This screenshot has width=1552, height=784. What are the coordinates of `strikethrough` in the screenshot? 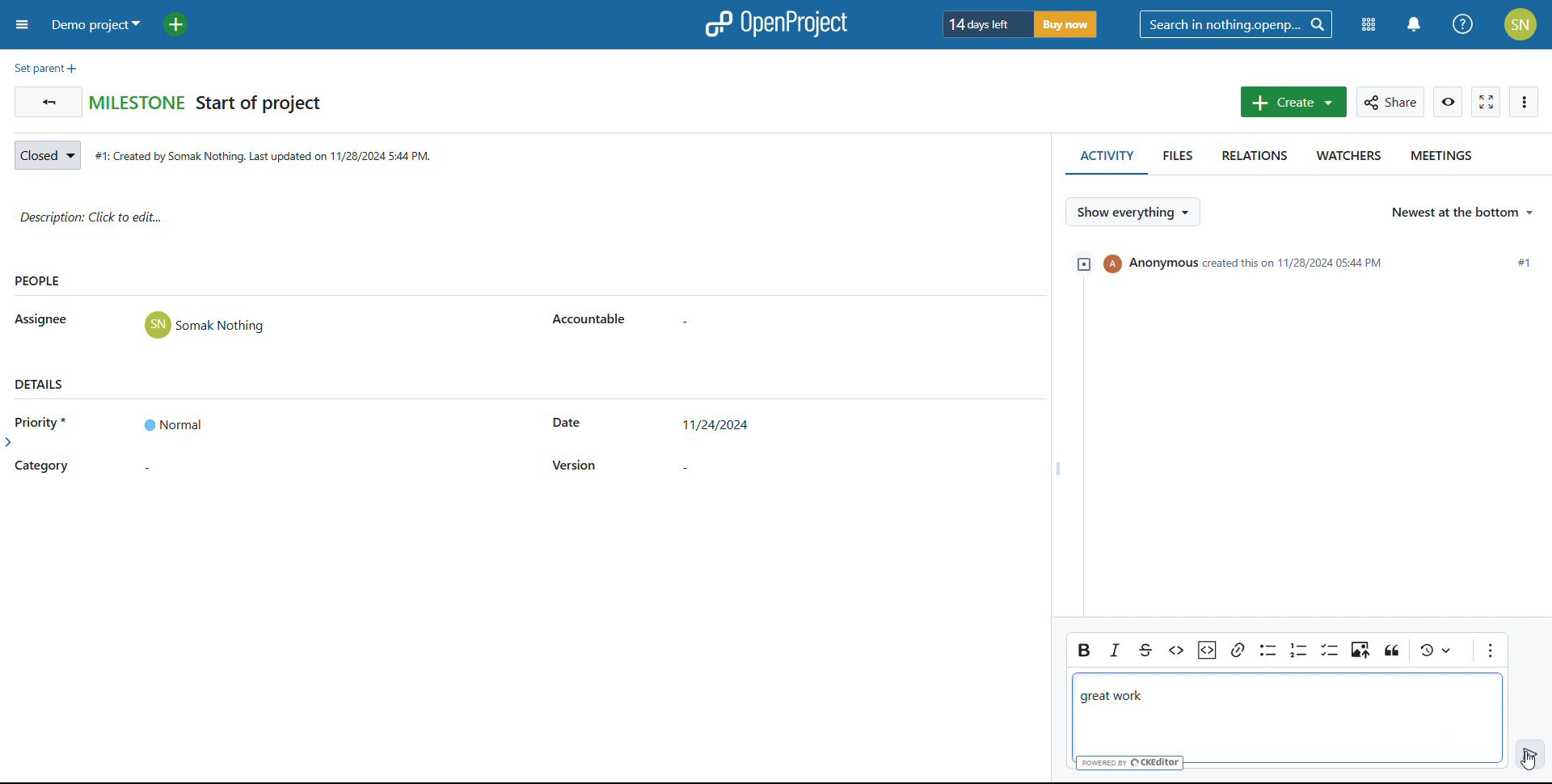 It's located at (1144, 650).